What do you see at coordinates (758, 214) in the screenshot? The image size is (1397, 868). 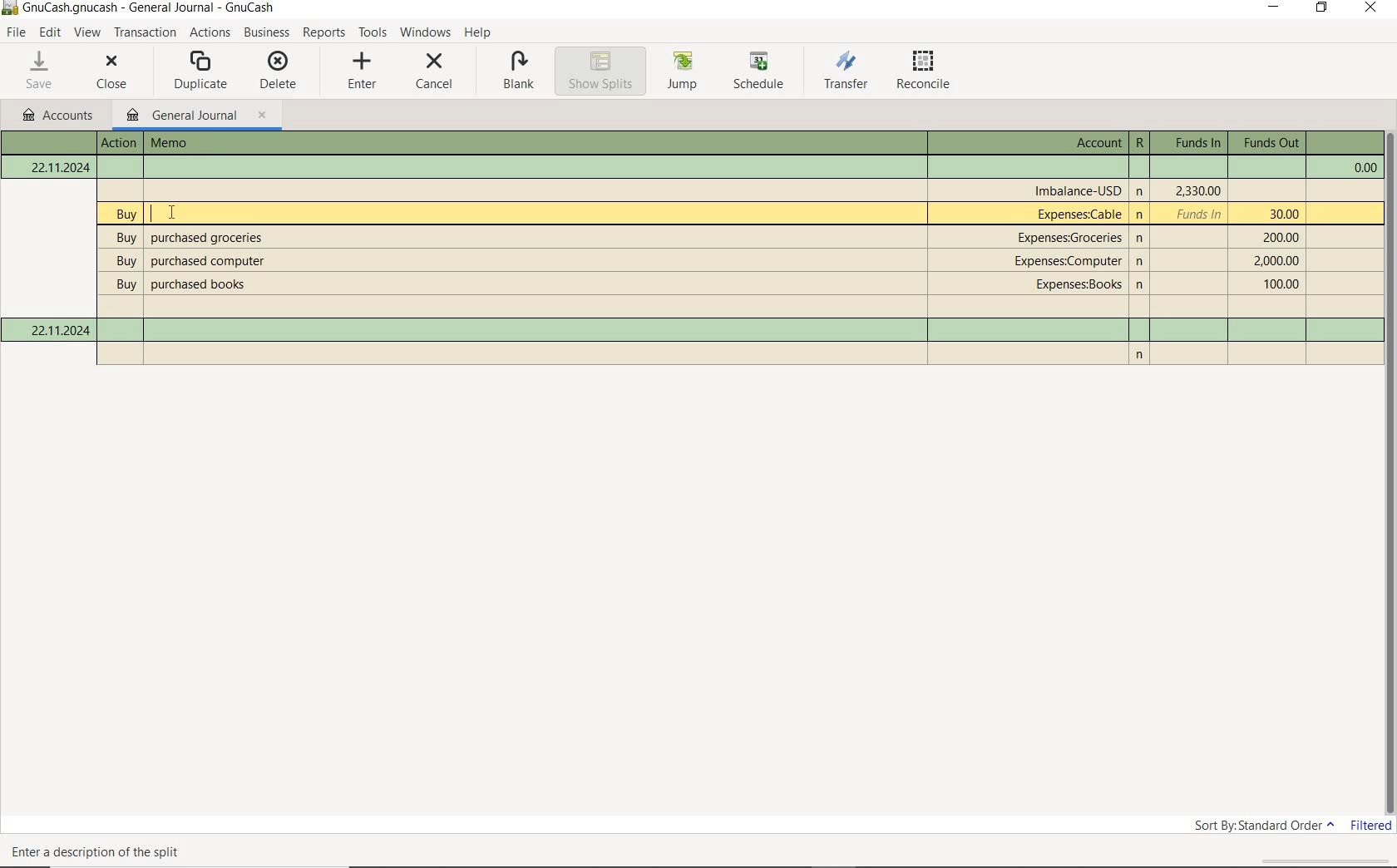 I see `Text` at bounding box center [758, 214].